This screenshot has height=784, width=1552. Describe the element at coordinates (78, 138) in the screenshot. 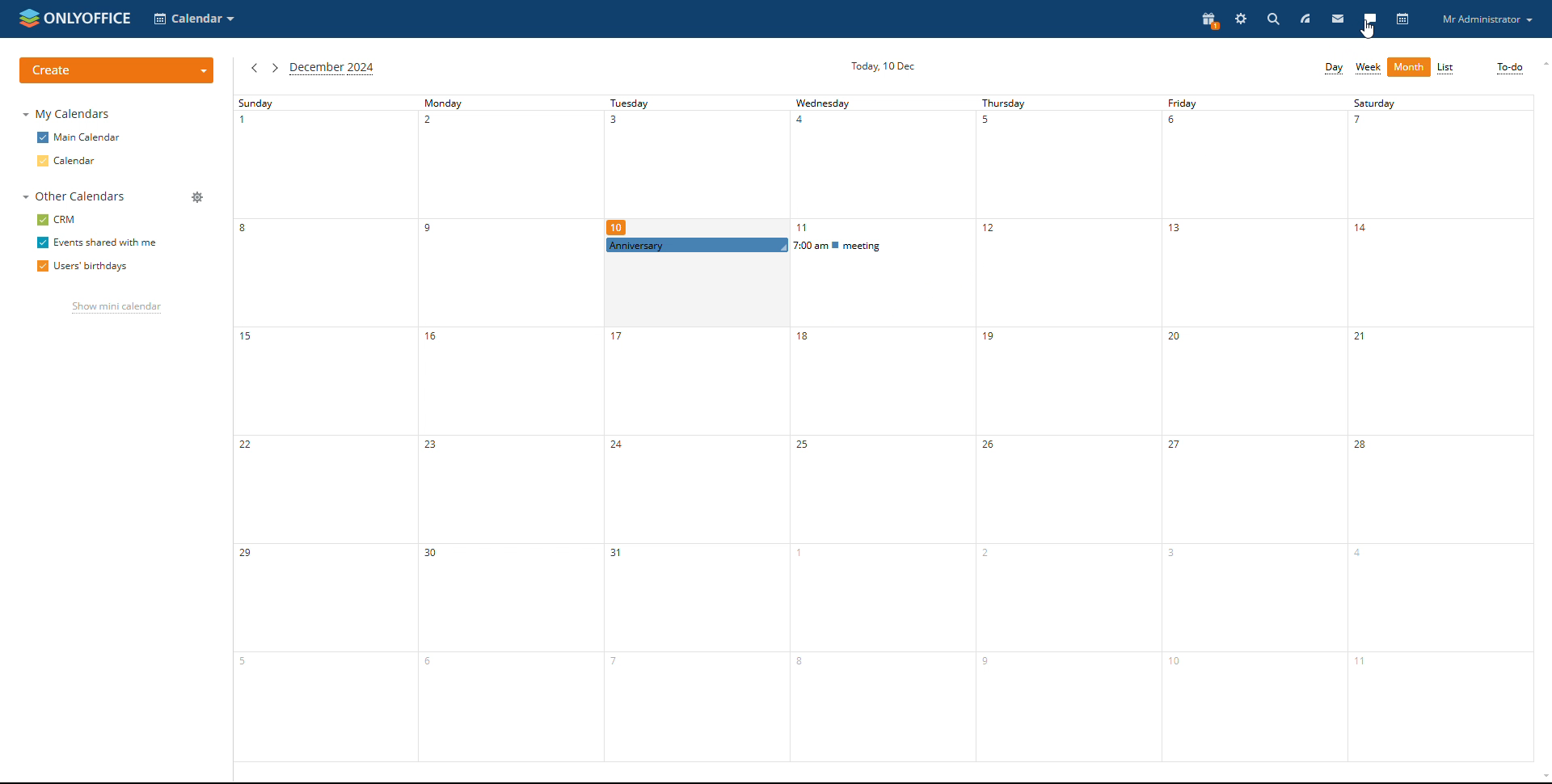

I see `main calendar` at that location.